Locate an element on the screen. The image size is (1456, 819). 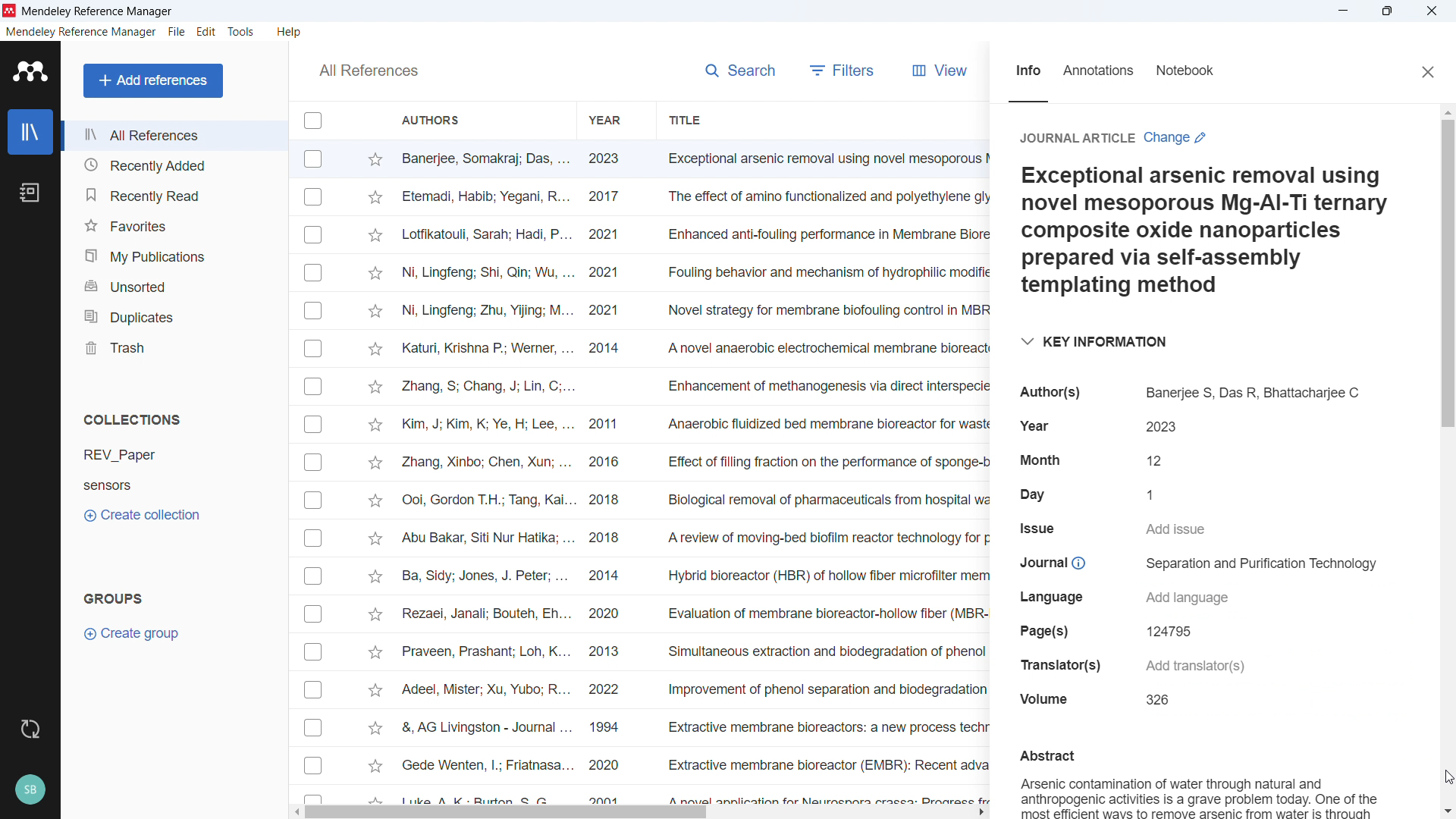
enhancement of methanogenesis via direct interspecies electron transfer bet is located at coordinates (827, 386).